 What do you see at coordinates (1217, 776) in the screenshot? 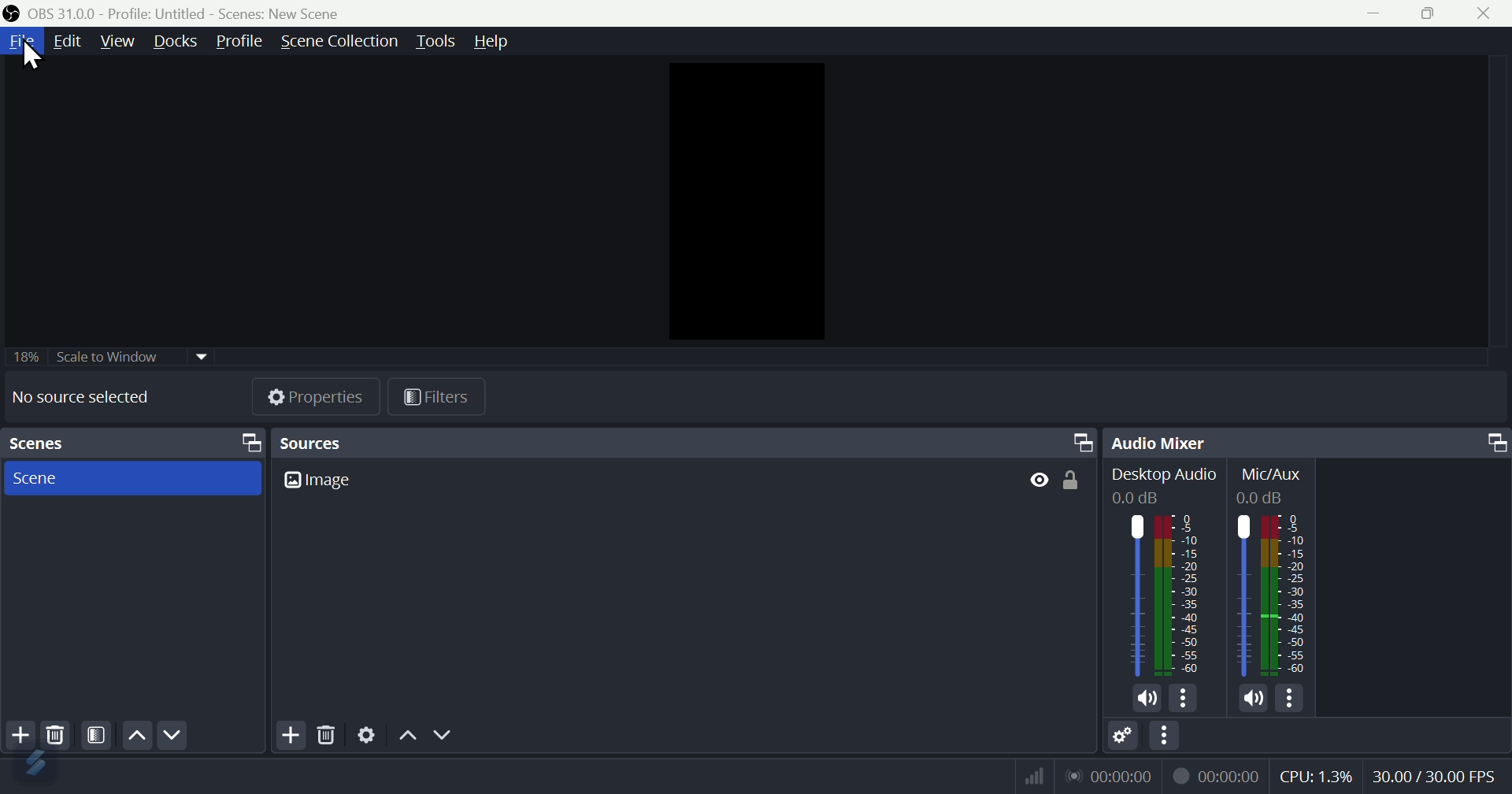
I see `recording` at bounding box center [1217, 776].